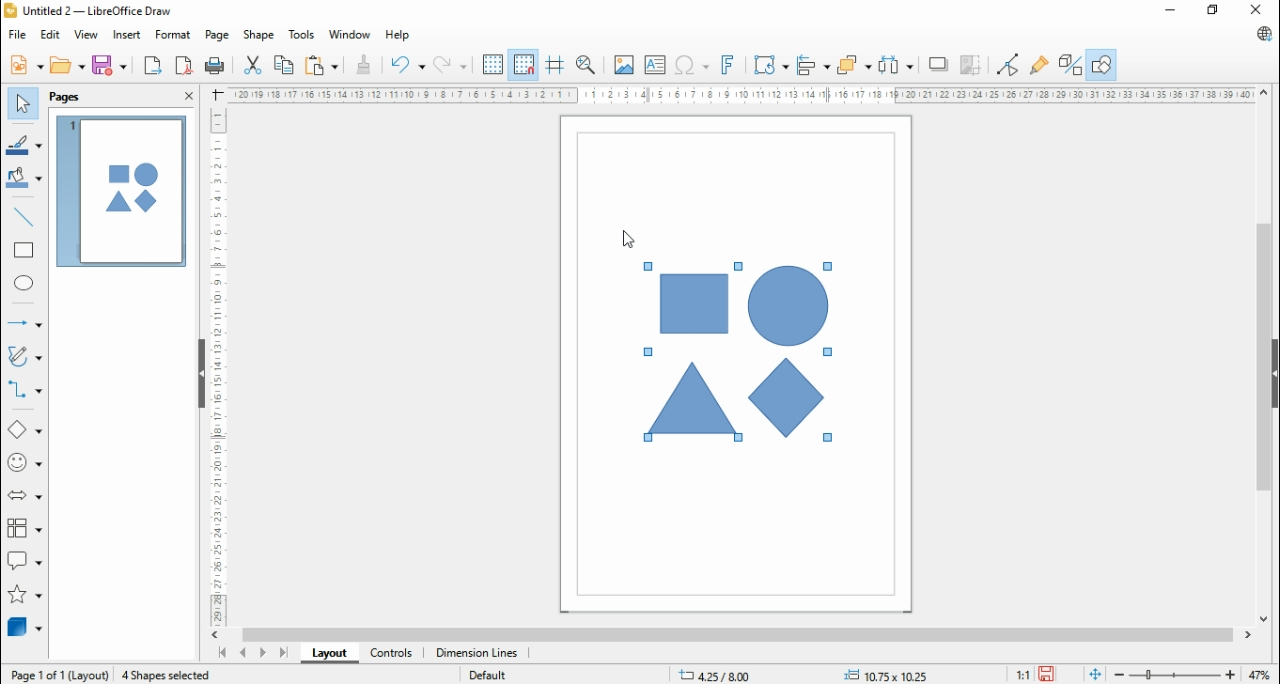  I want to click on format, so click(174, 35).